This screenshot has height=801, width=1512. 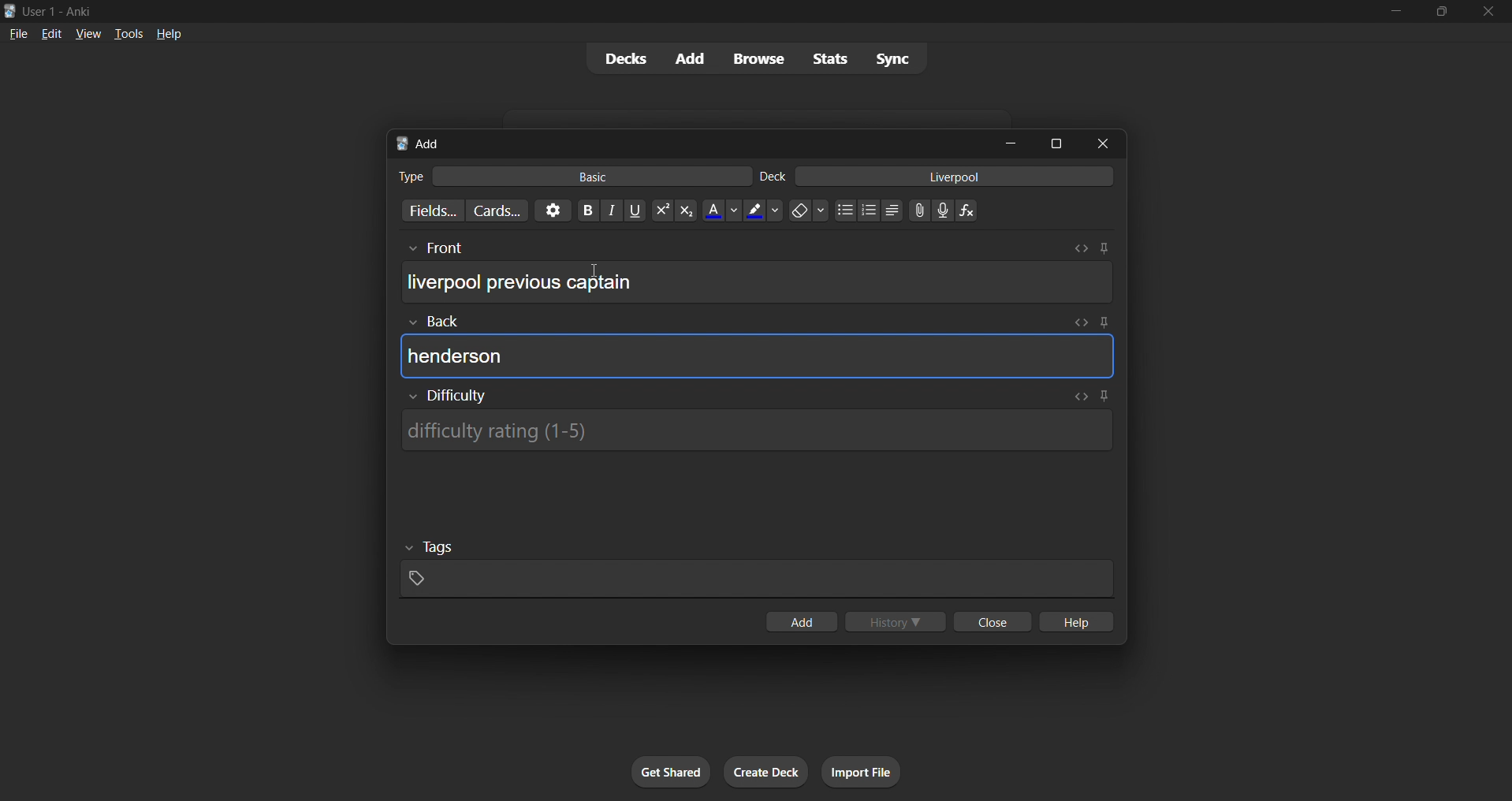 I want to click on customize card templates, so click(x=495, y=210).